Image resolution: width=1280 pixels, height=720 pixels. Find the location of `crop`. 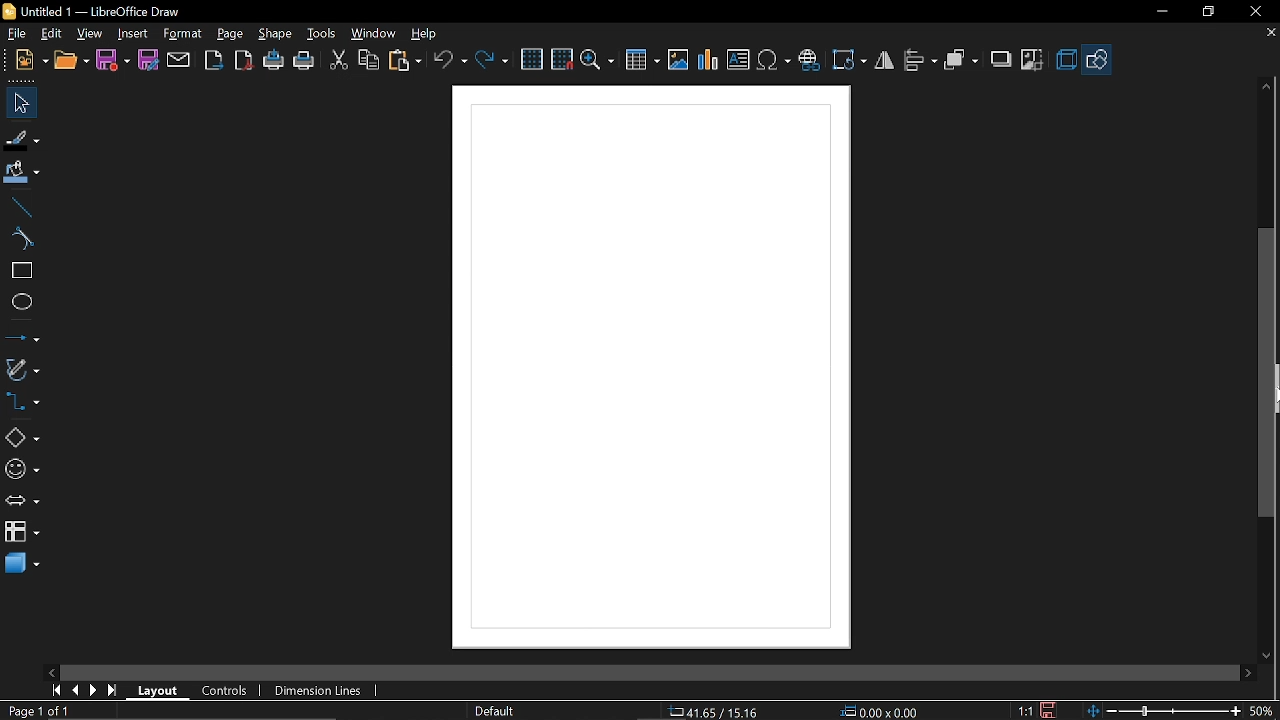

crop is located at coordinates (1034, 63).